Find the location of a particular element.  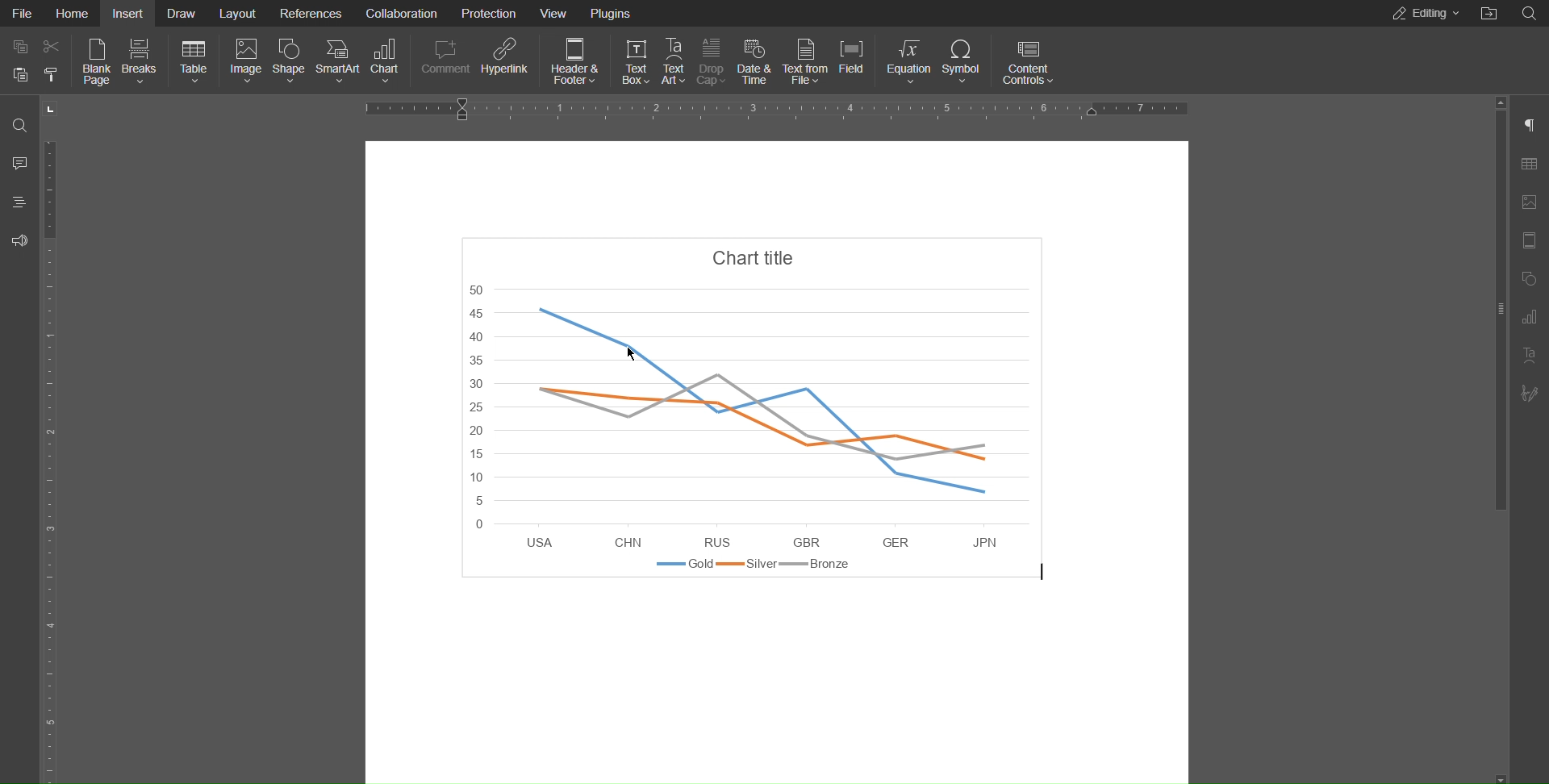

Drop Cap is located at coordinates (713, 59).